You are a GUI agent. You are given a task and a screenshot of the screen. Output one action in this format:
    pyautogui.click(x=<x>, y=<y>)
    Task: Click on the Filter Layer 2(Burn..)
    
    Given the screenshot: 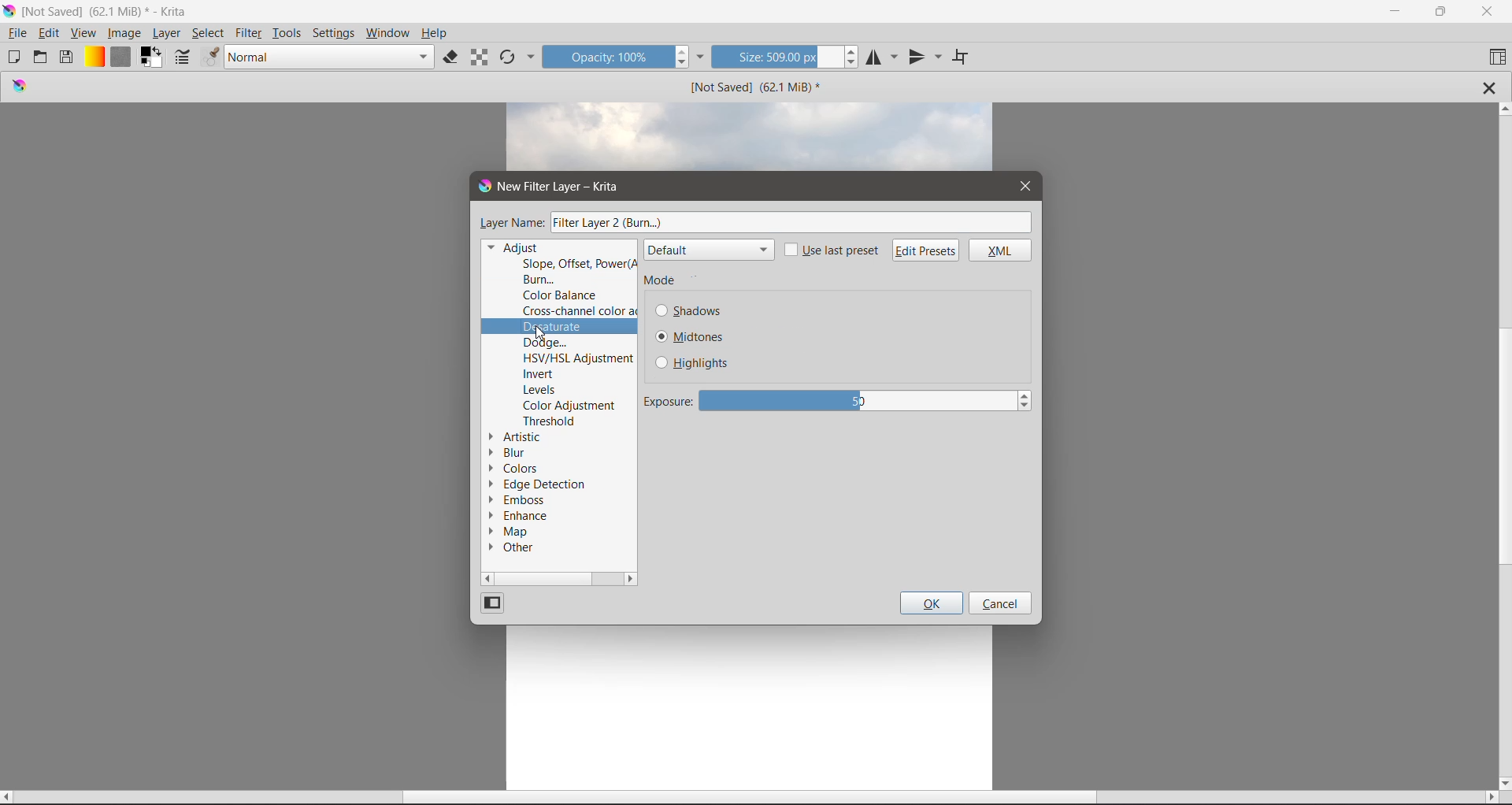 What is the action you would take?
    pyautogui.click(x=792, y=223)
    